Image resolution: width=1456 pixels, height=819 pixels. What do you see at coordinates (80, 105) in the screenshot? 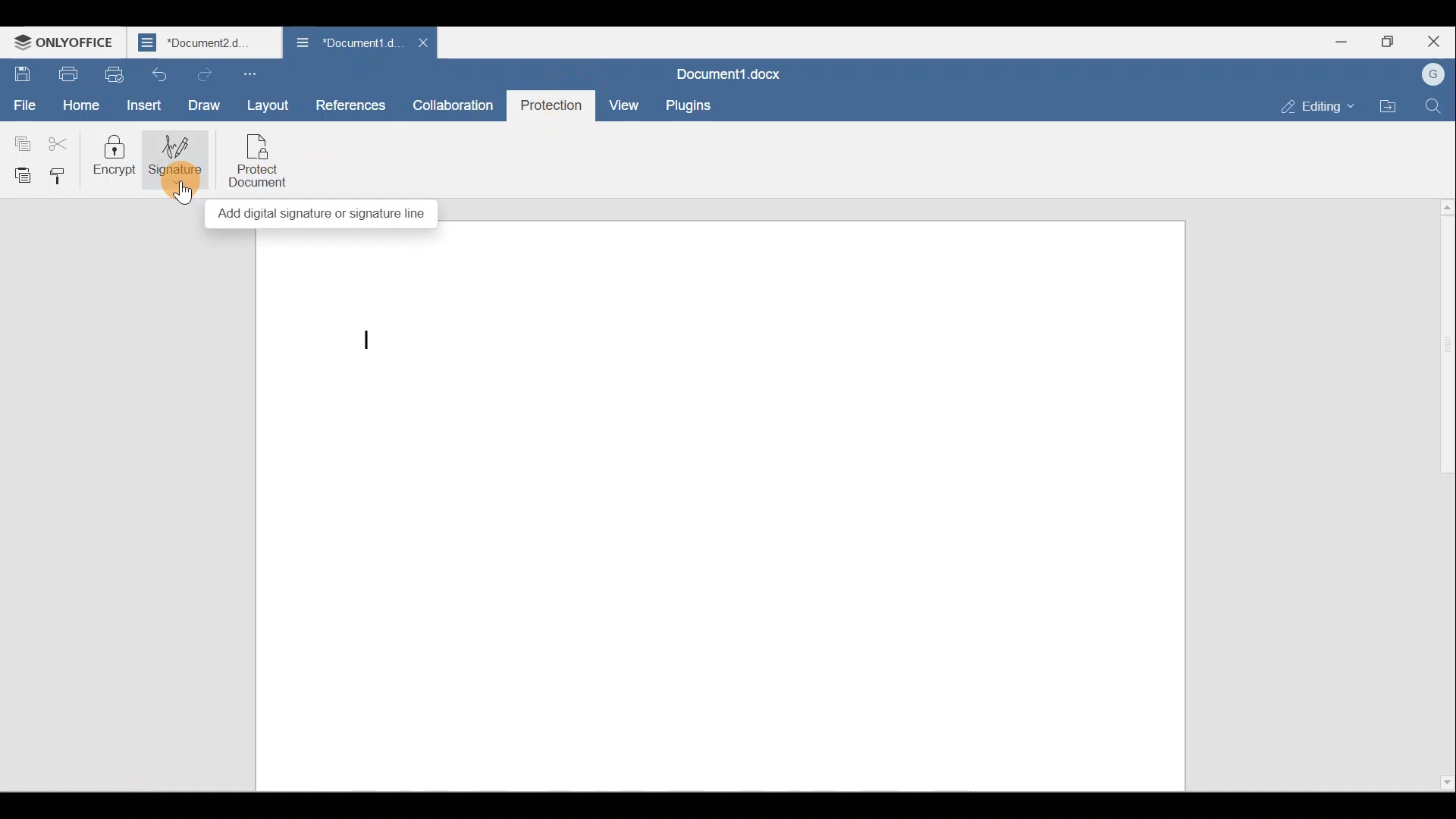
I see `Home` at bounding box center [80, 105].